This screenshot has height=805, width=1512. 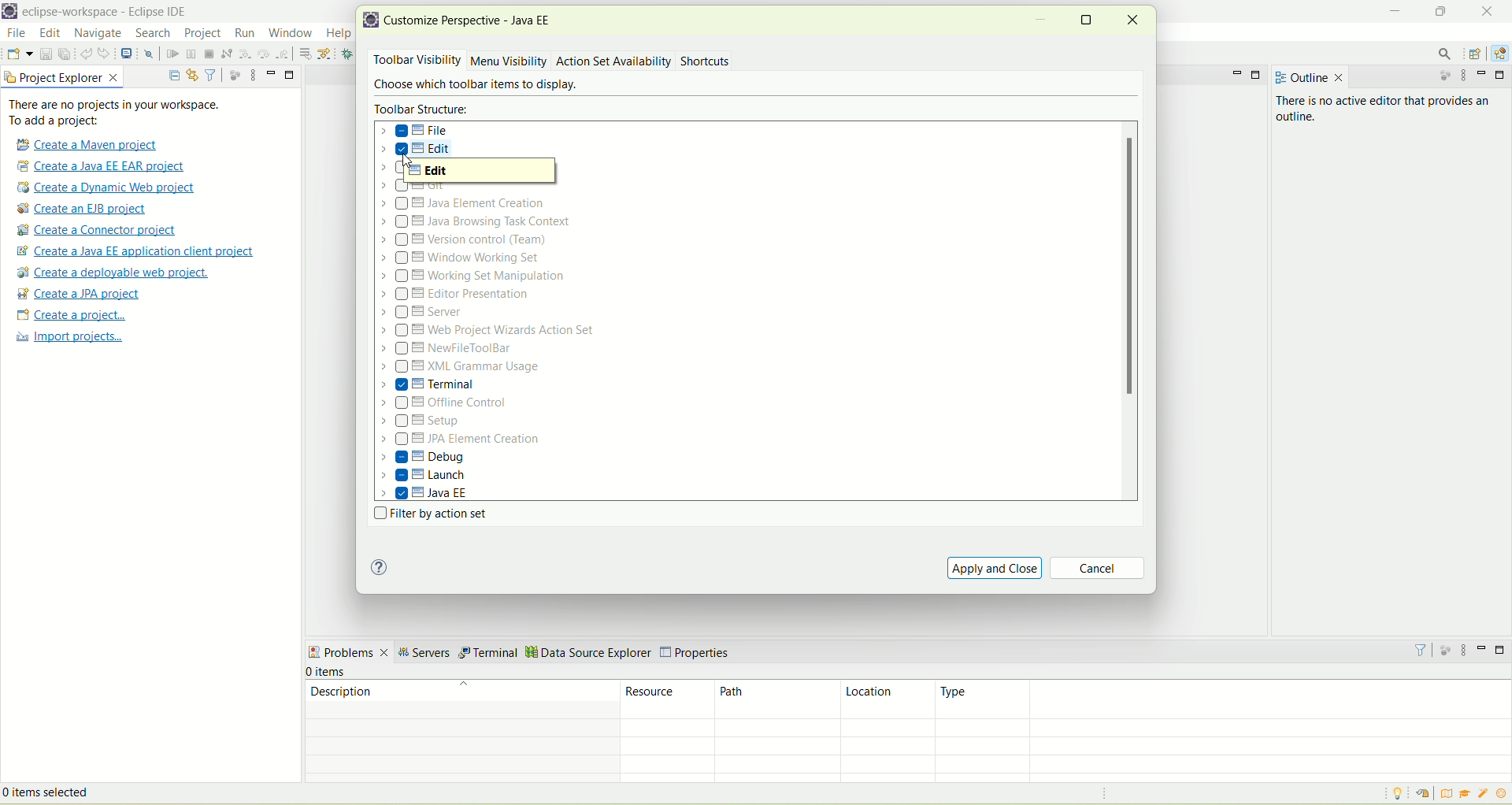 I want to click on type, so click(x=1225, y=699).